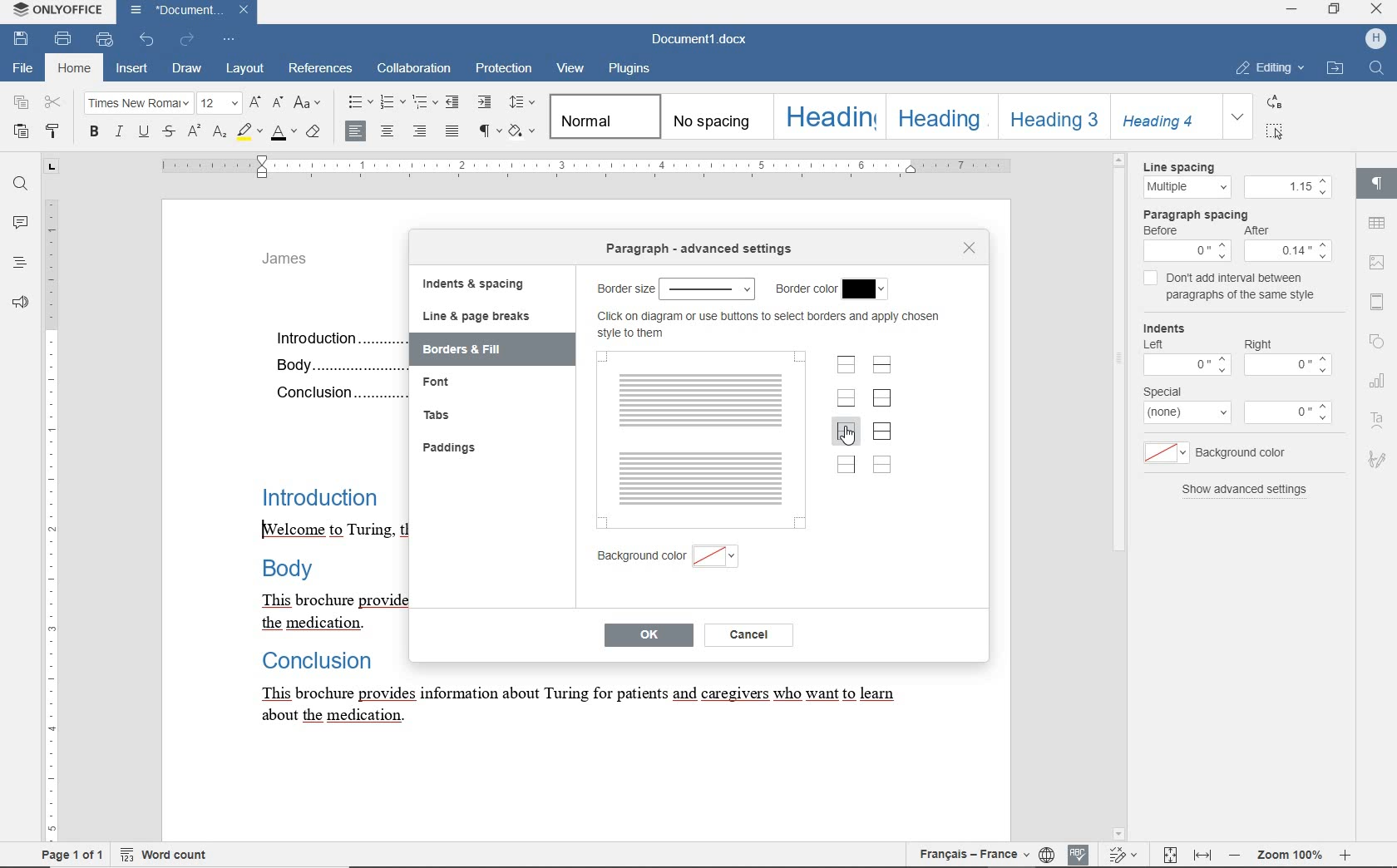  What do you see at coordinates (435, 413) in the screenshot?
I see `tabs` at bounding box center [435, 413].